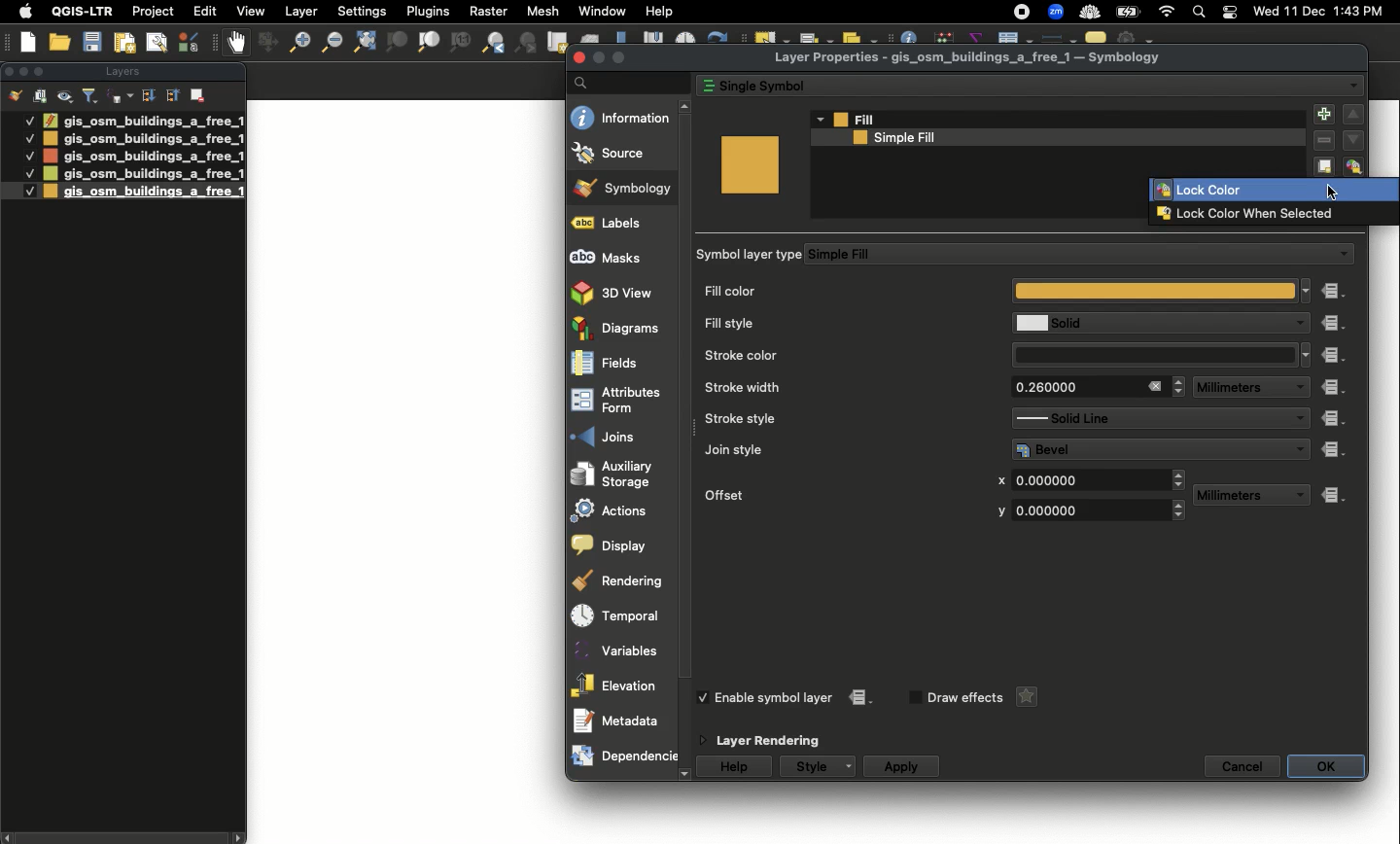  What do you see at coordinates (144, 192) in the screenshot?
I see `gis_osm_buildings_a_free_1` at bounding box center [144, 192].